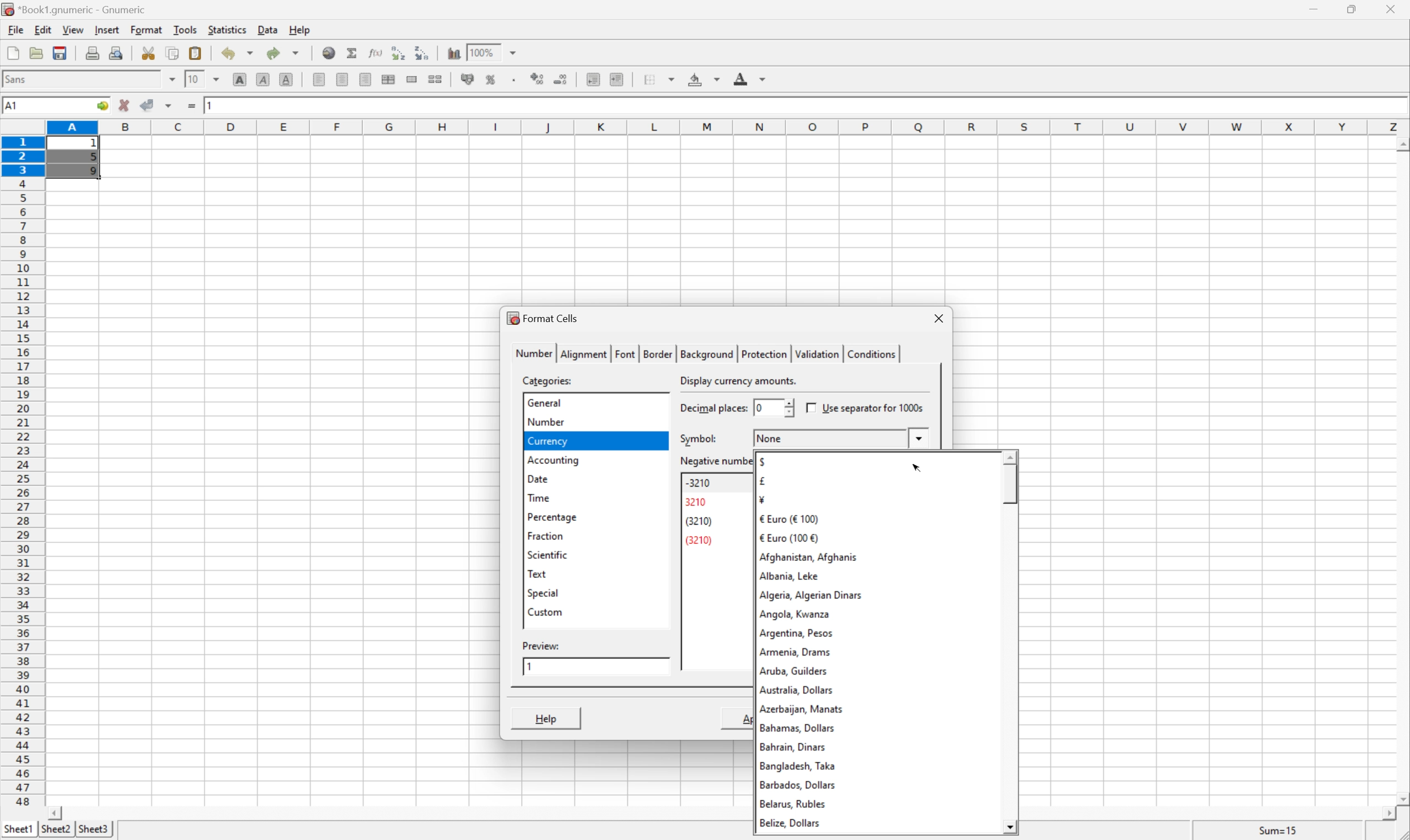 This screenshot has height=840, width=1410. I want to click on 1, so click(212, 104).